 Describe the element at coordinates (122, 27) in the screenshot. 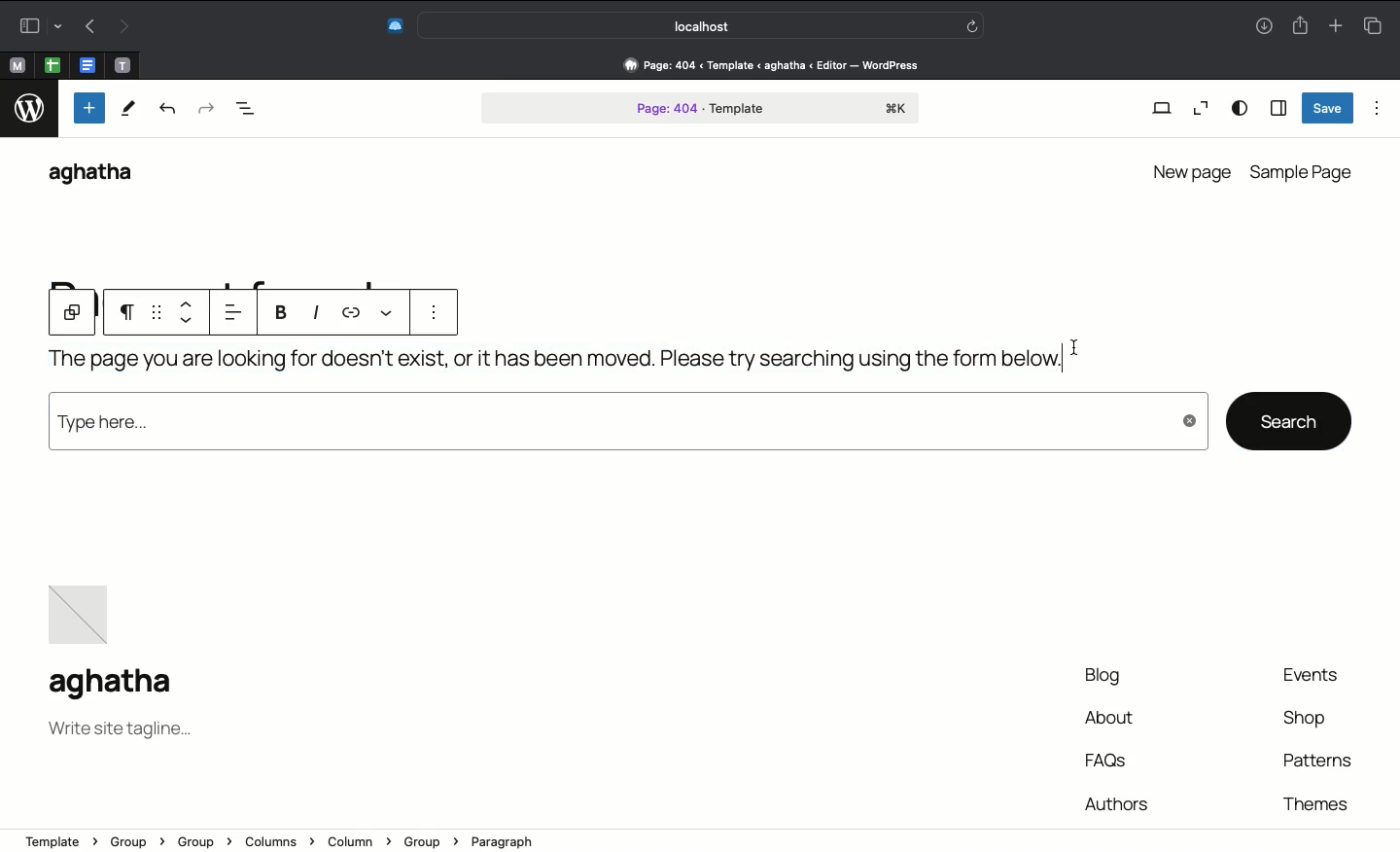

I see `Redo` at that location.